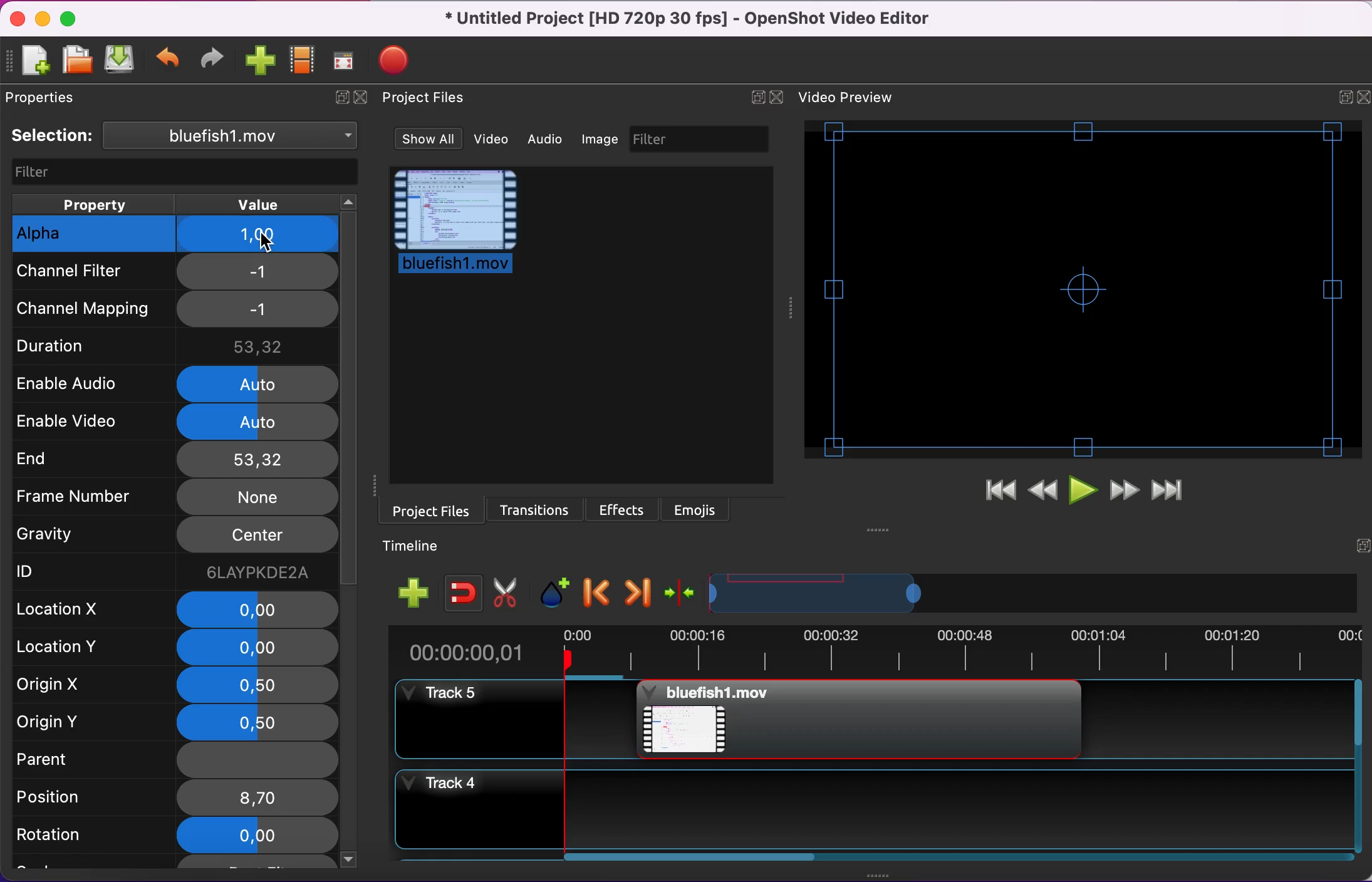 The height and width of the screenshot is (882, 1372). I want to click on show all, so click(430, 138).